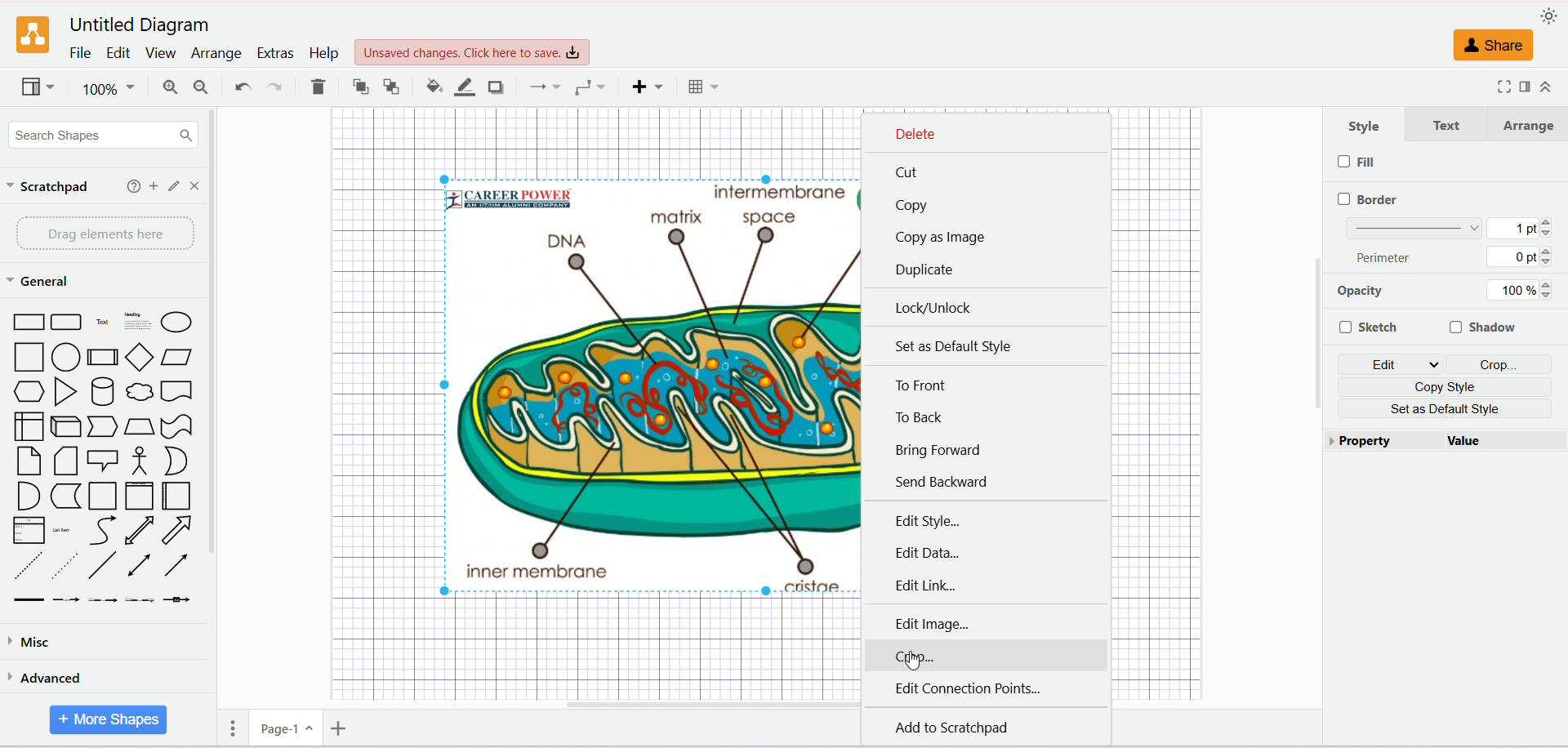  Describe the element at coordinates (1374, 198) in the screenshot. I see `border` at that location.